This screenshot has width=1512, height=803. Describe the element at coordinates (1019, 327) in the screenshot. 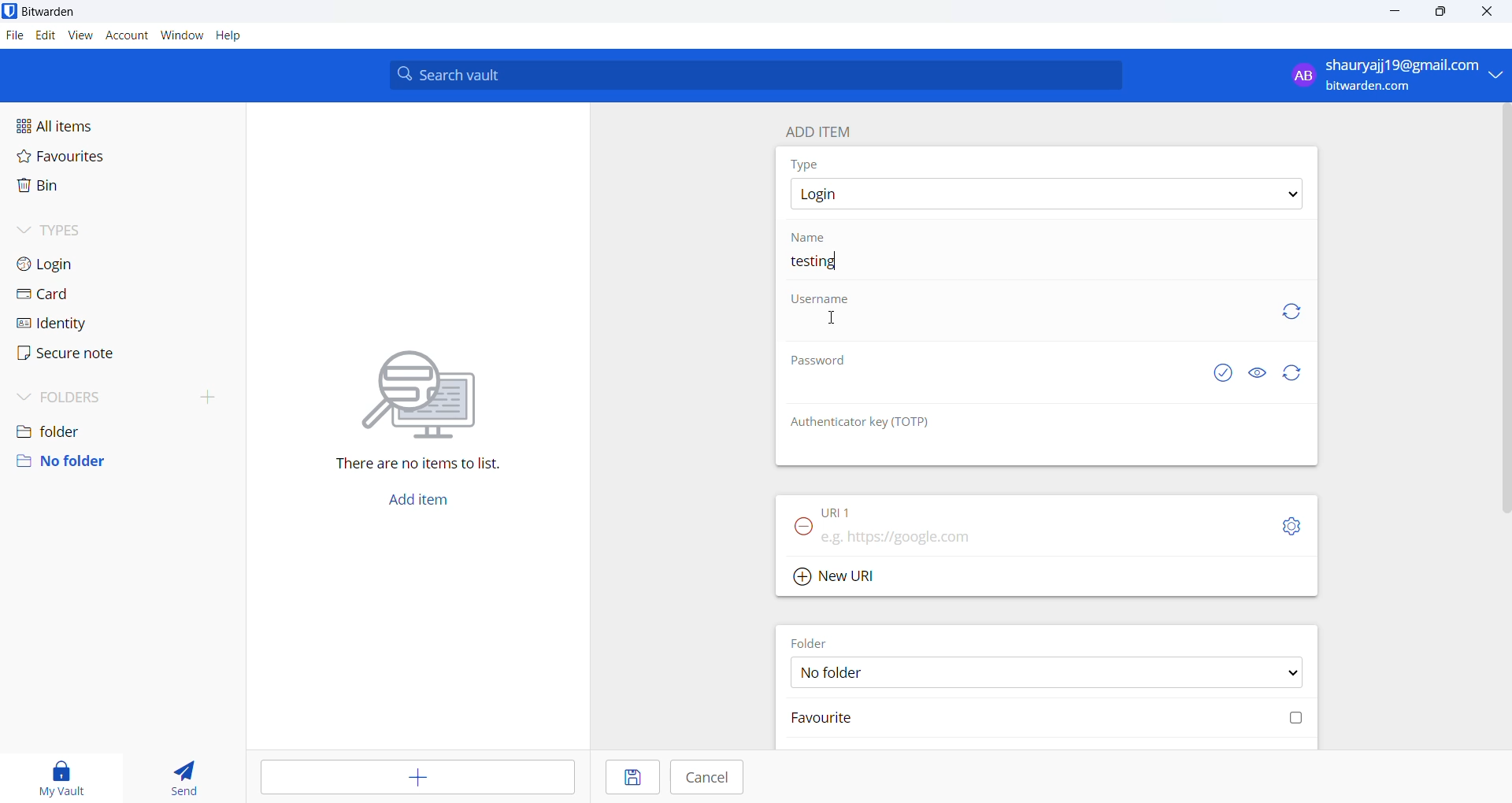

I see `username input box` at that location.